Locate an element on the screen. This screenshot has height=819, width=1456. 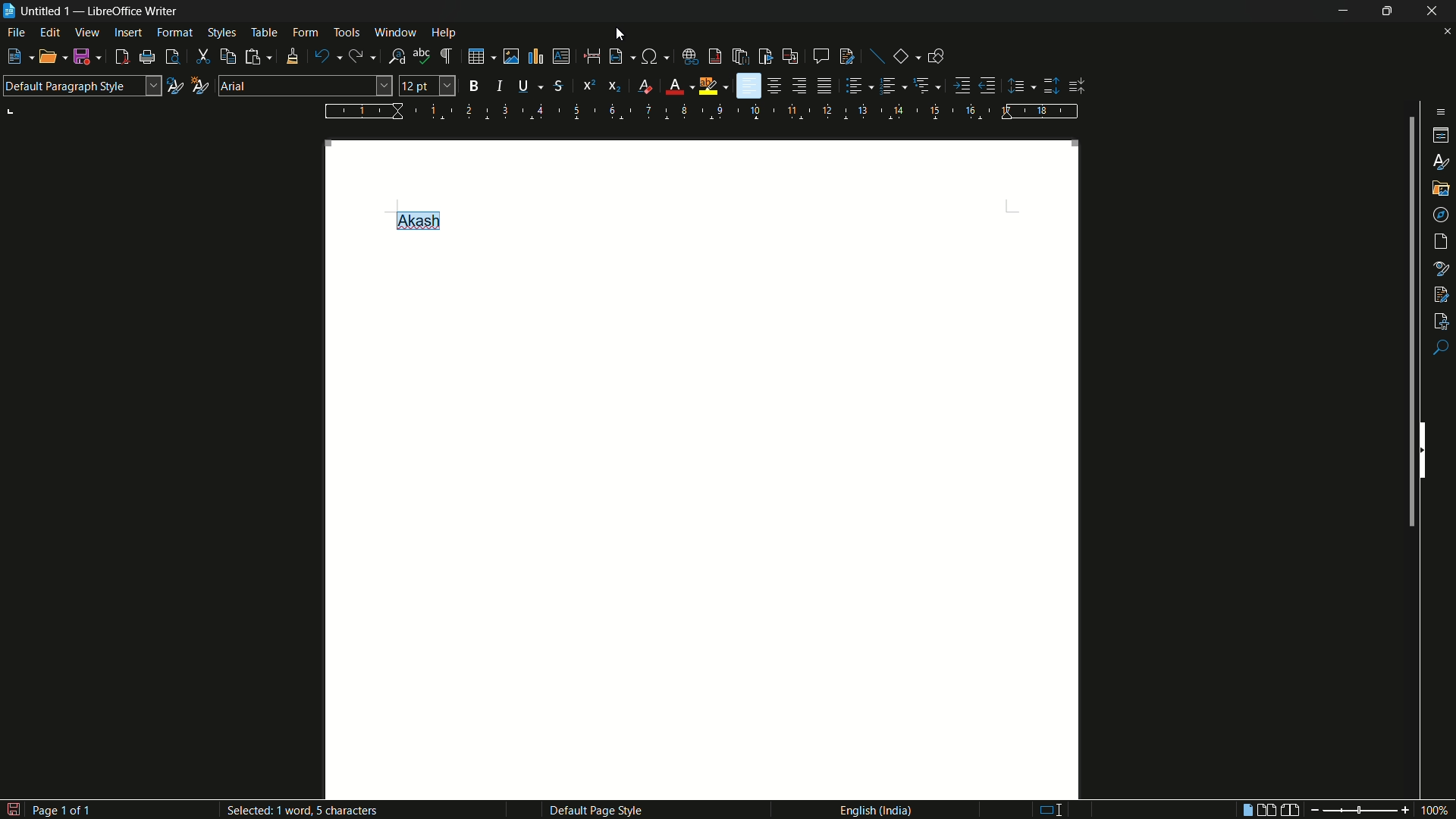
toggle formatting marks is located at coordinates (447, 57).